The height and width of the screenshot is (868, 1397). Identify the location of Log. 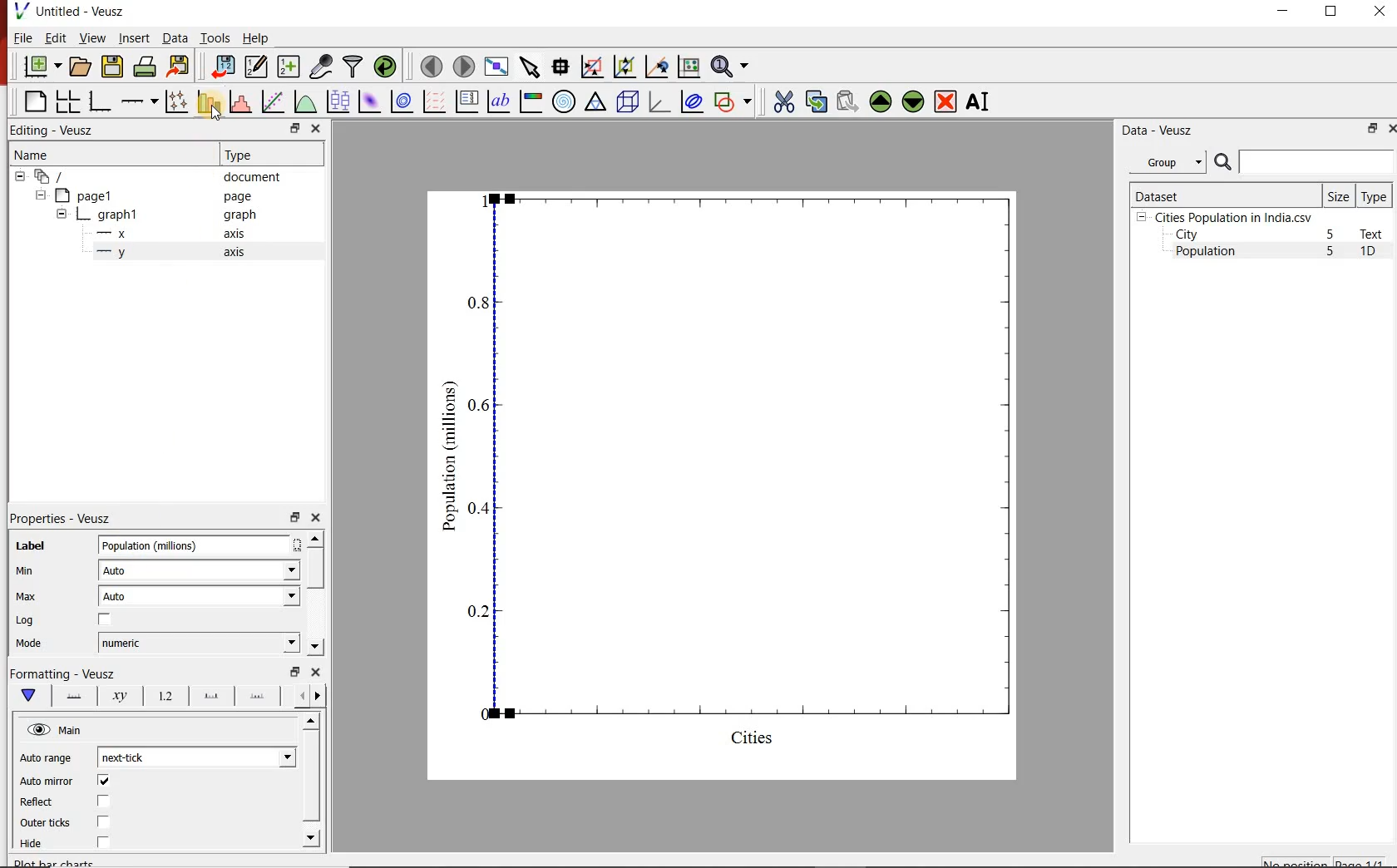
(27, 621).